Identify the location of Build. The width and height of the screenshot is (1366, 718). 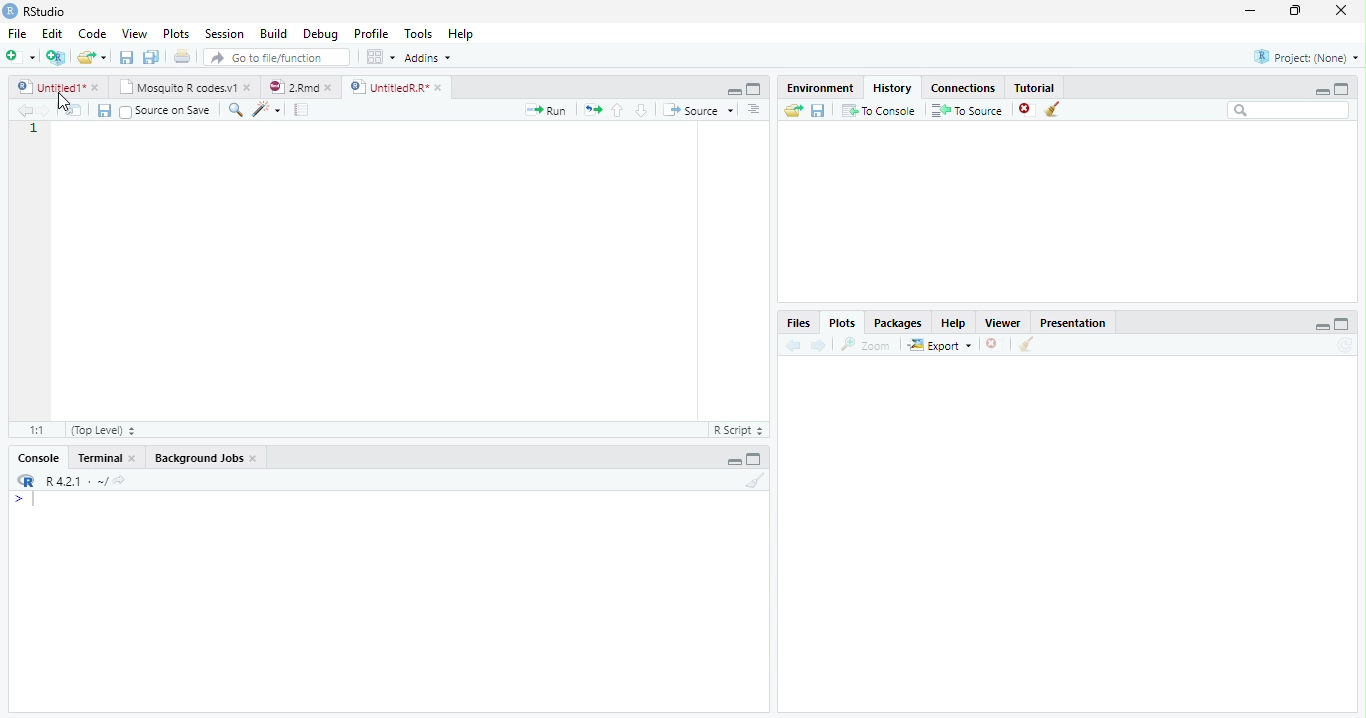
(272, 33).